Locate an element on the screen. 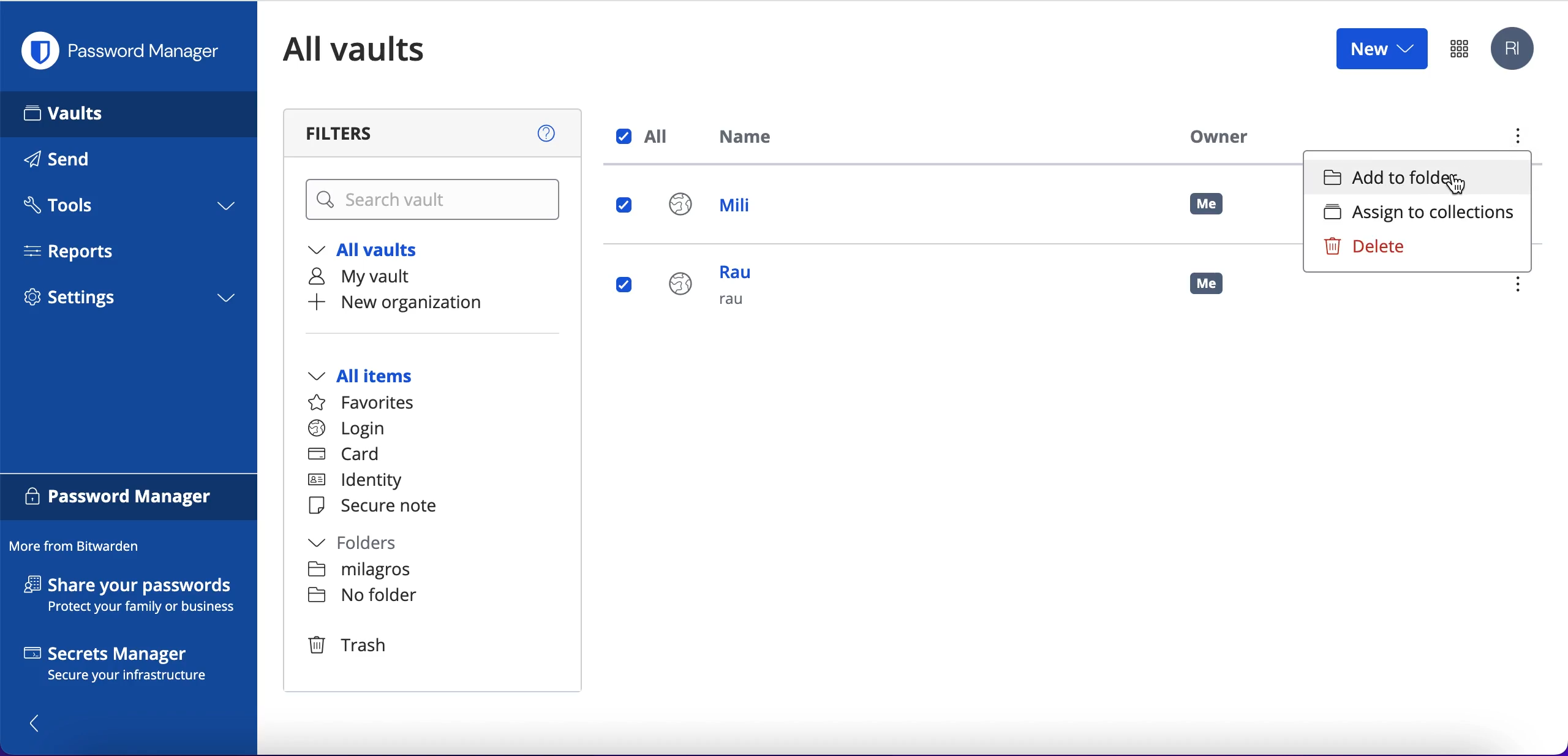 The image size is (1568, 756). menu is located at coordinates (1523, 286).